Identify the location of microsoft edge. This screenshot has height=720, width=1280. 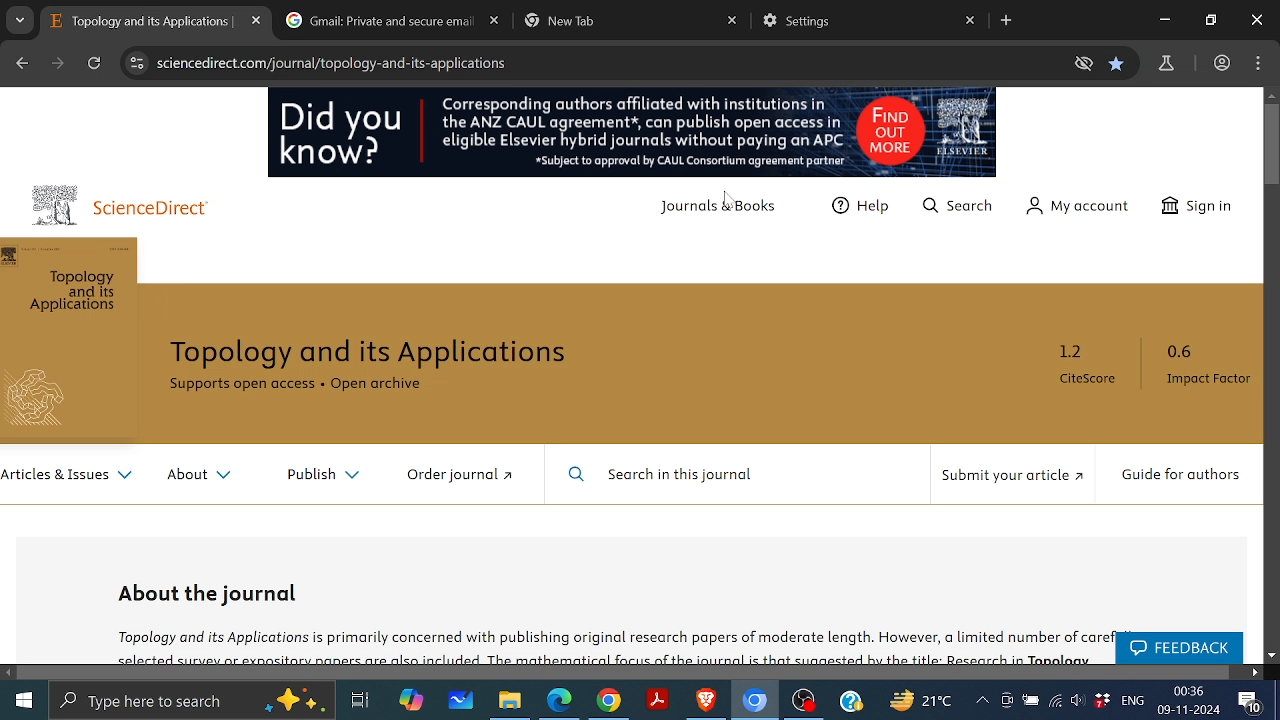
(561, 703).